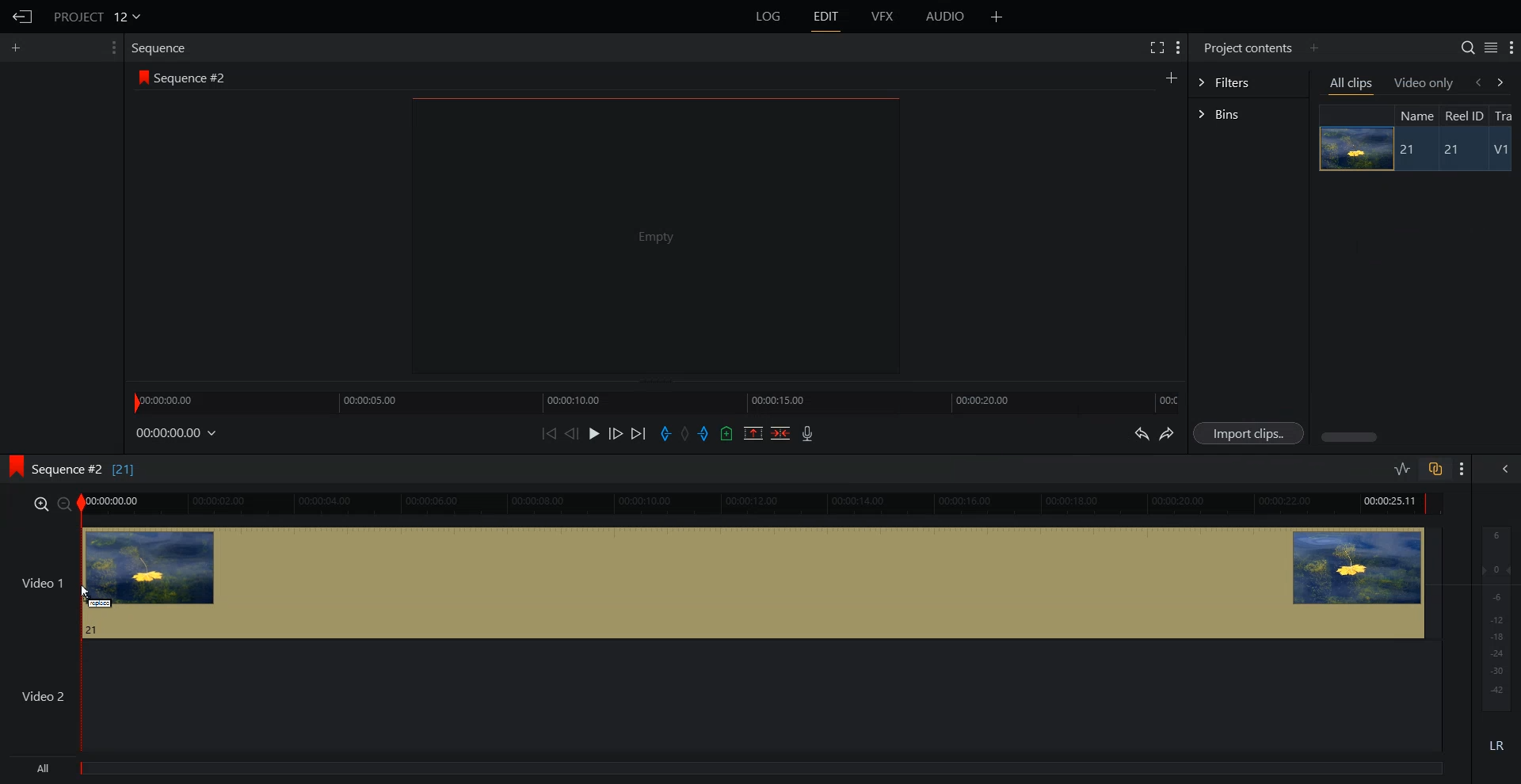 The image size is (1521, 784). What do you see at coordinates (1490, 47) in the screenshot?
I see `Toggle between list and tile view` at bounding box center [1490, 47].